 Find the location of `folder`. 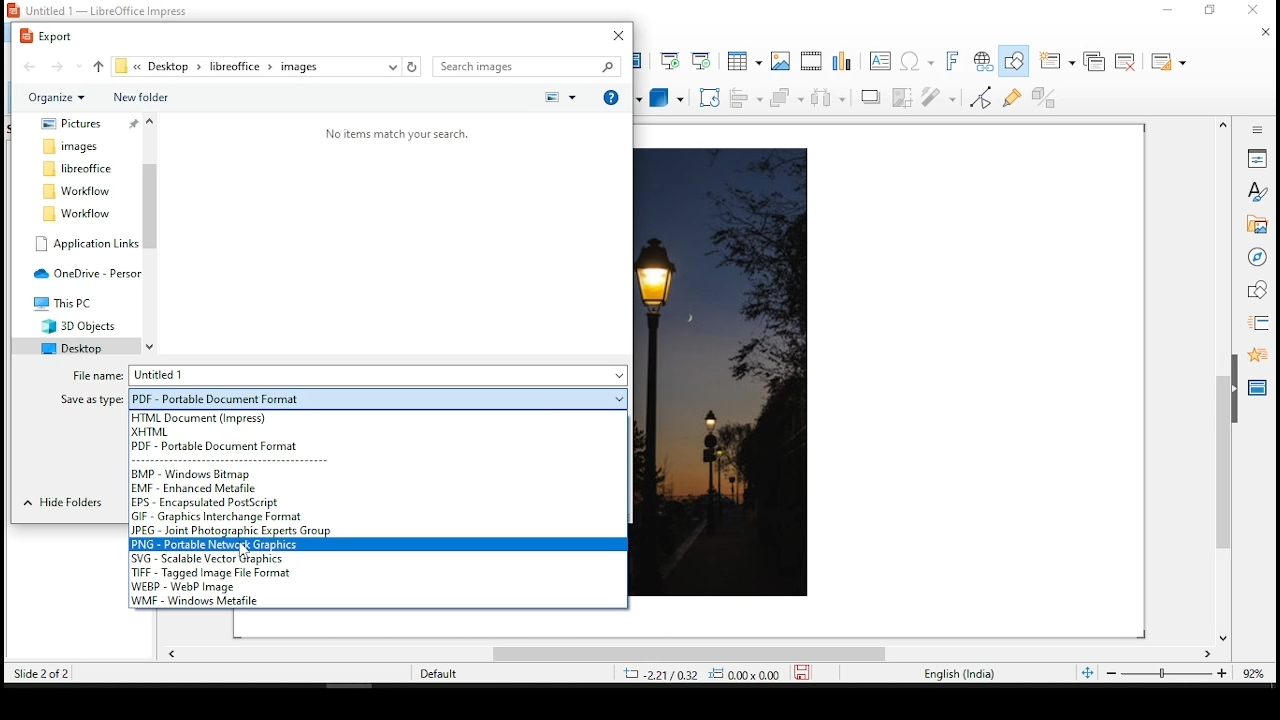

folder is located at coordinates (78, 324).